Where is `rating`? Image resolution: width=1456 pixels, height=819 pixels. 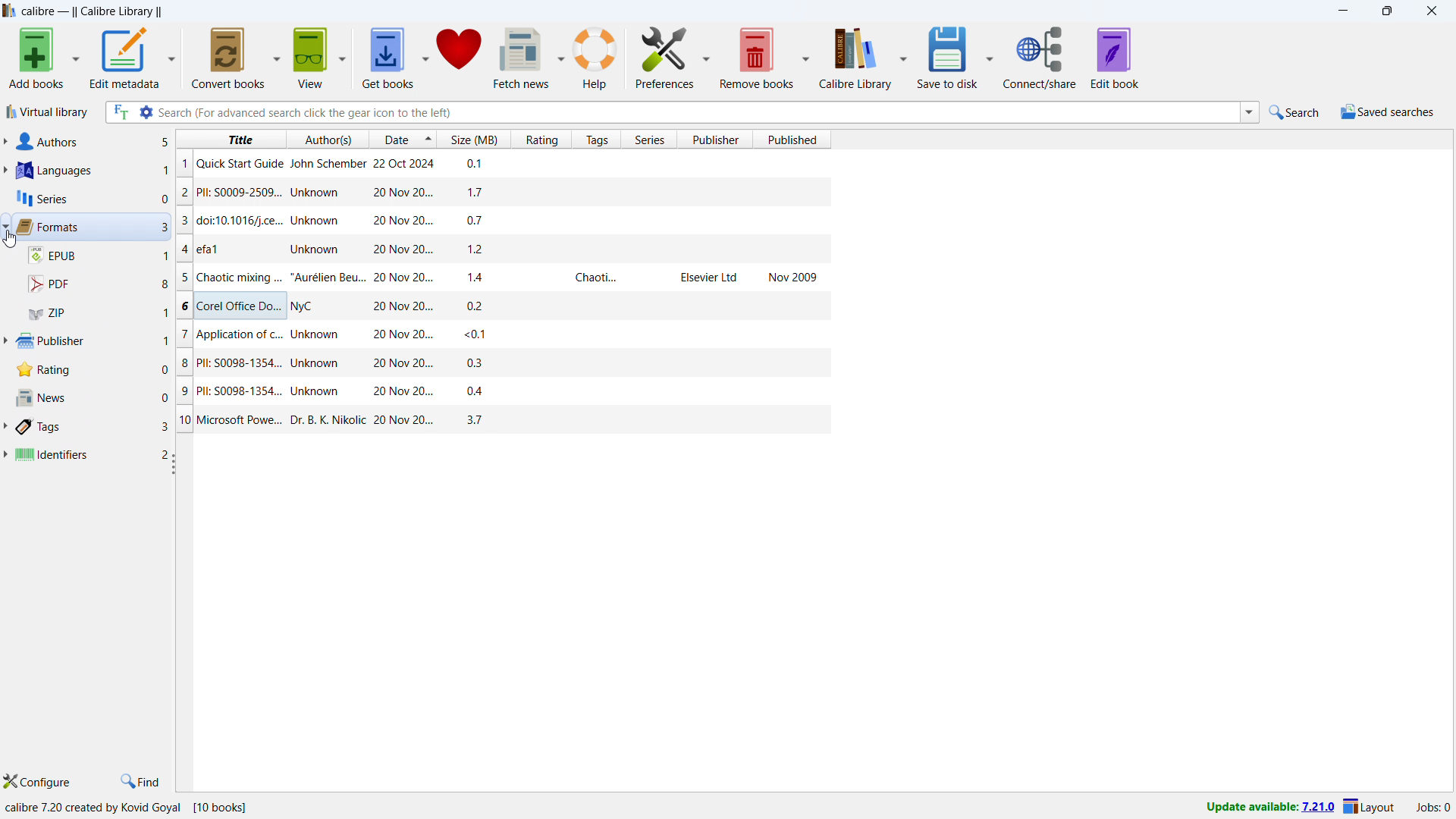 rating is located at coordinates (93, 372).